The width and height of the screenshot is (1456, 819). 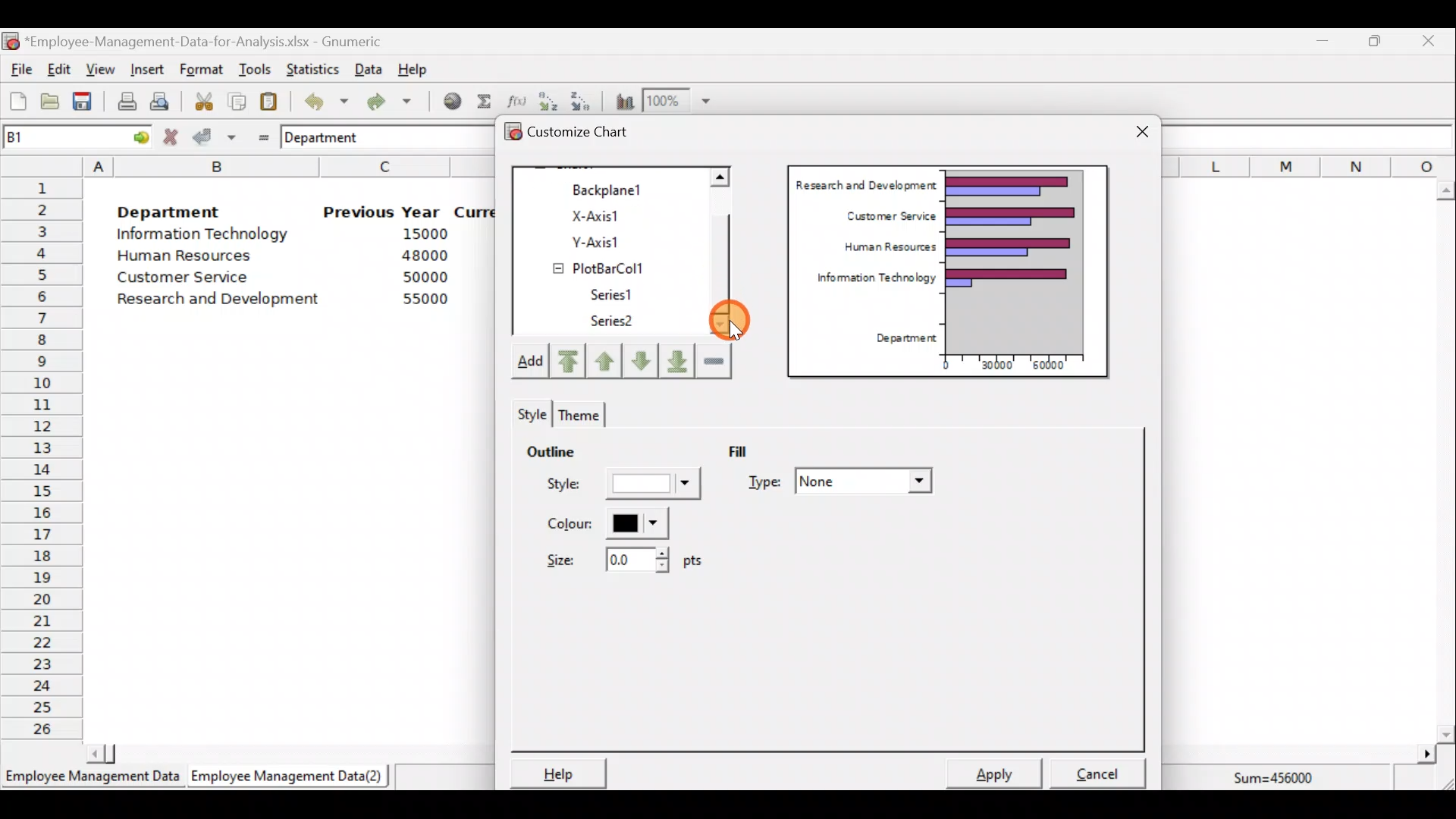 I want to click on Edit, so click(x=60, y=71).